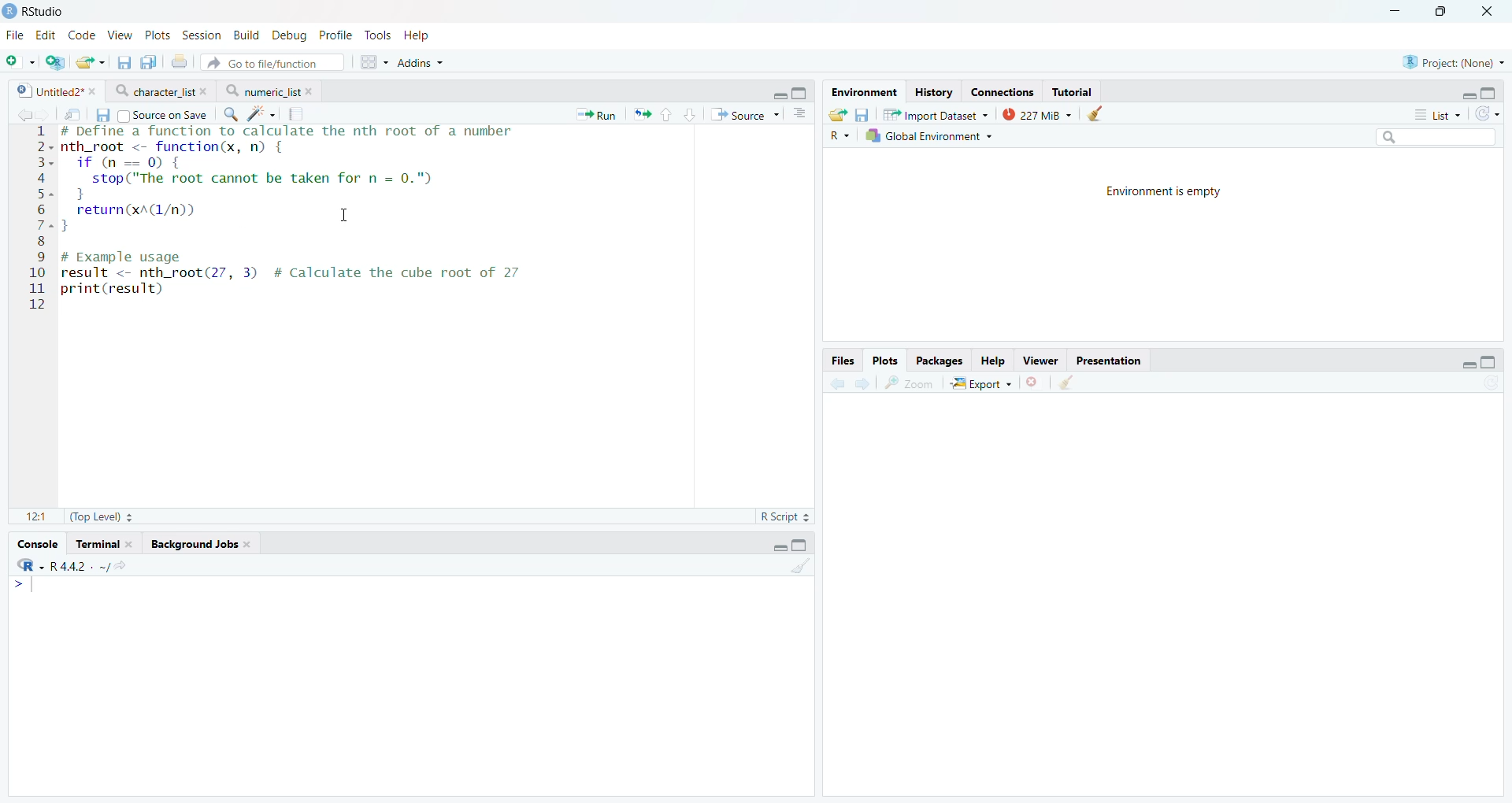 The width and height of the screenshot is (1512, 803). Describe the element at coordinates (1095, 113) in the screenshot. I see `Clear` at that location.